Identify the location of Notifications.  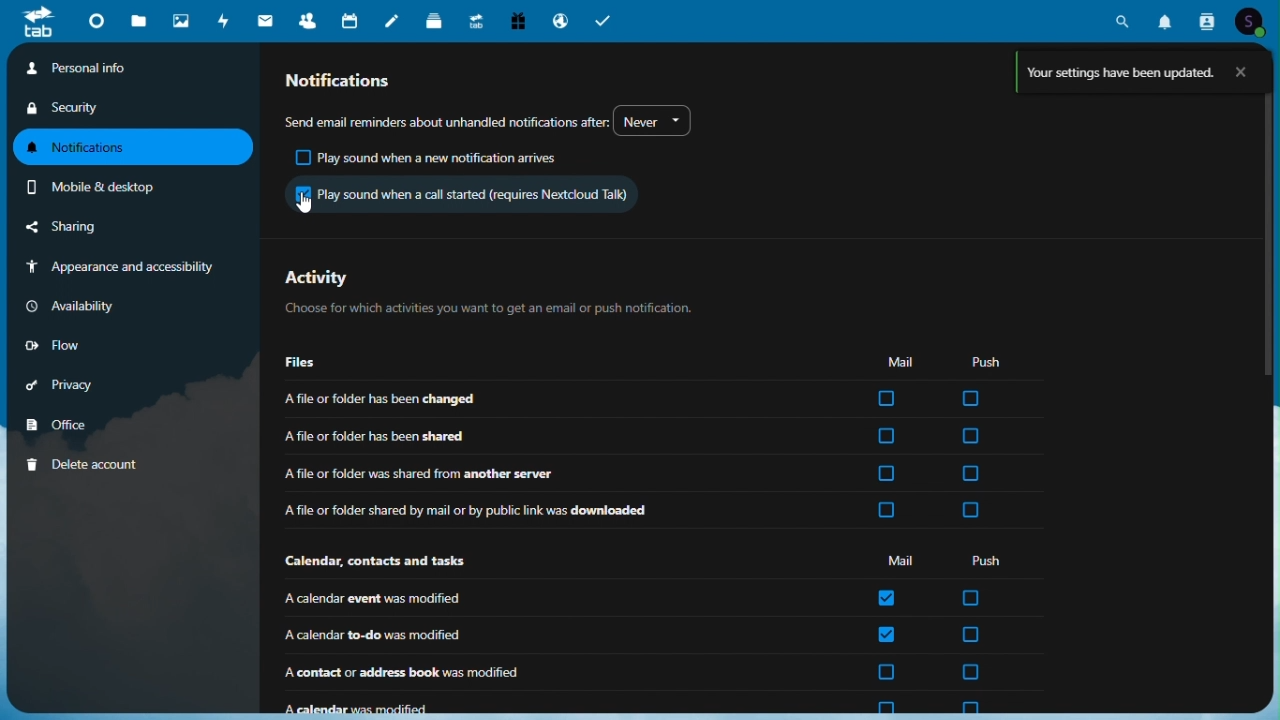
(354, 80).